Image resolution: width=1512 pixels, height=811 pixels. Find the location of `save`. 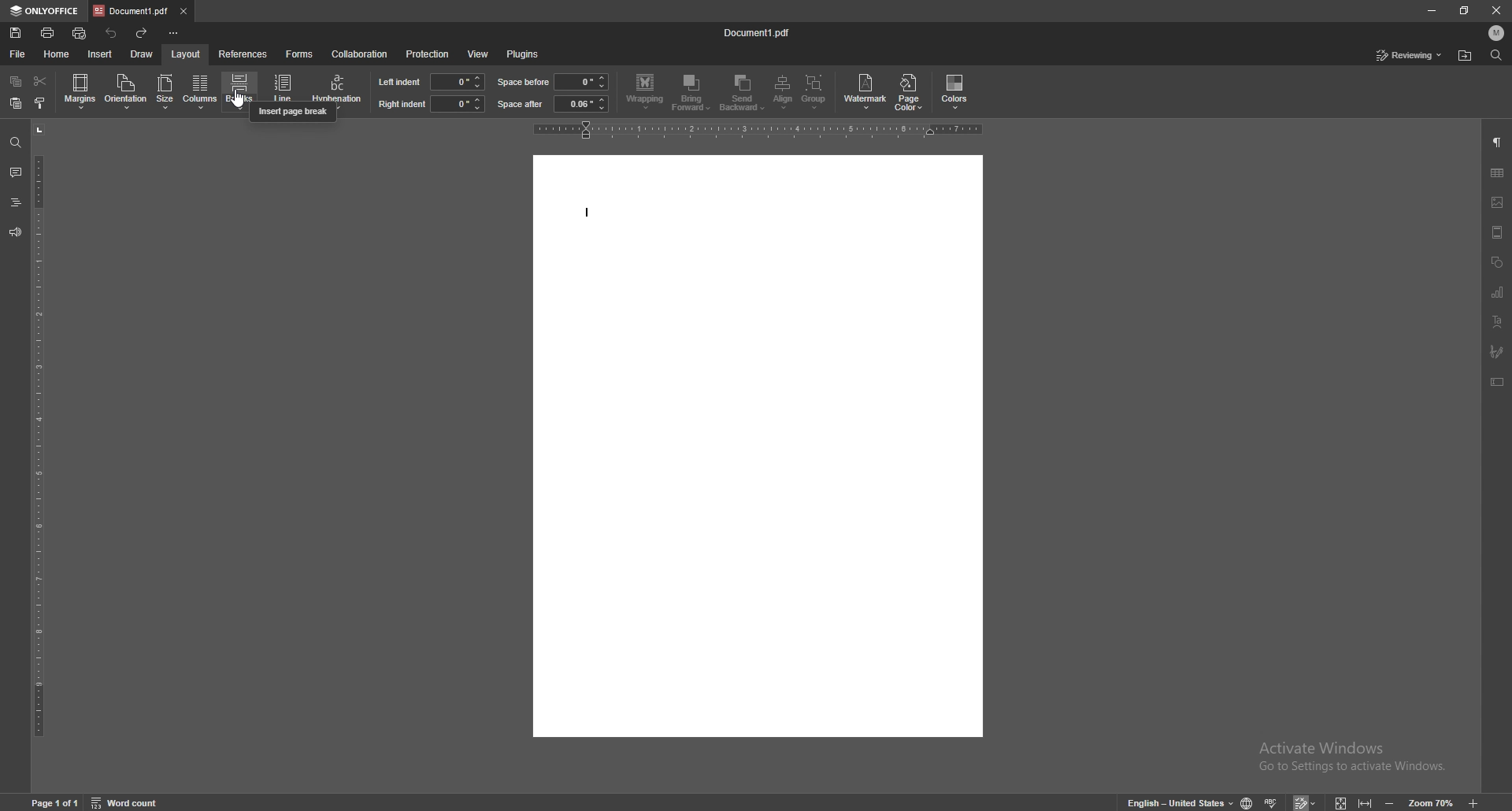

save is located at coordinates (16, 33).